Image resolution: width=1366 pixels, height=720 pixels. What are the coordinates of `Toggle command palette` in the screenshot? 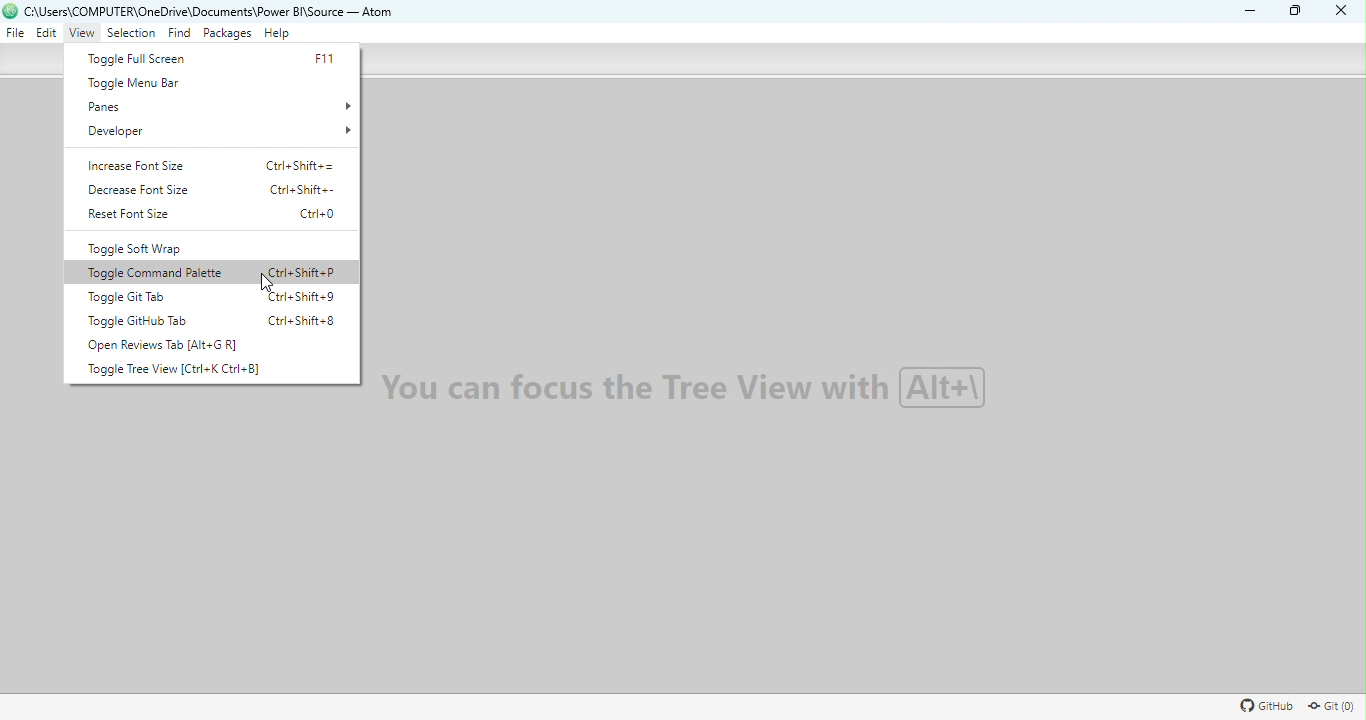 It's located at (219, 273).